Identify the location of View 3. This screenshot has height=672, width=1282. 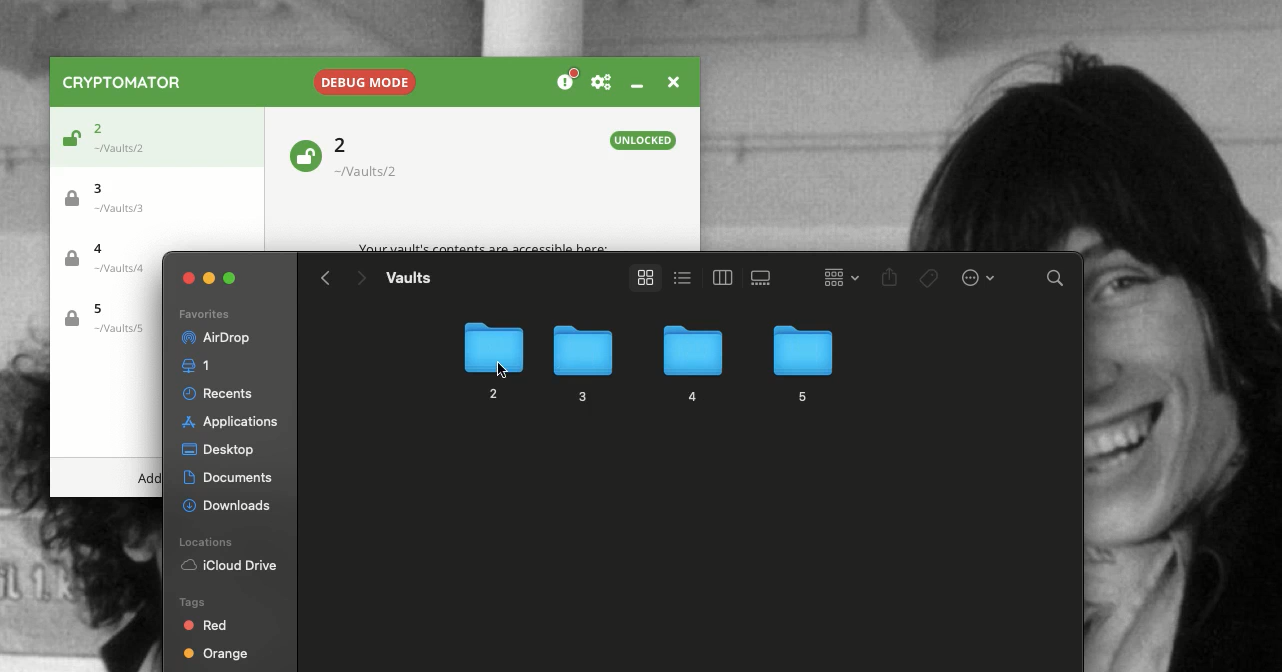
(764, 278).